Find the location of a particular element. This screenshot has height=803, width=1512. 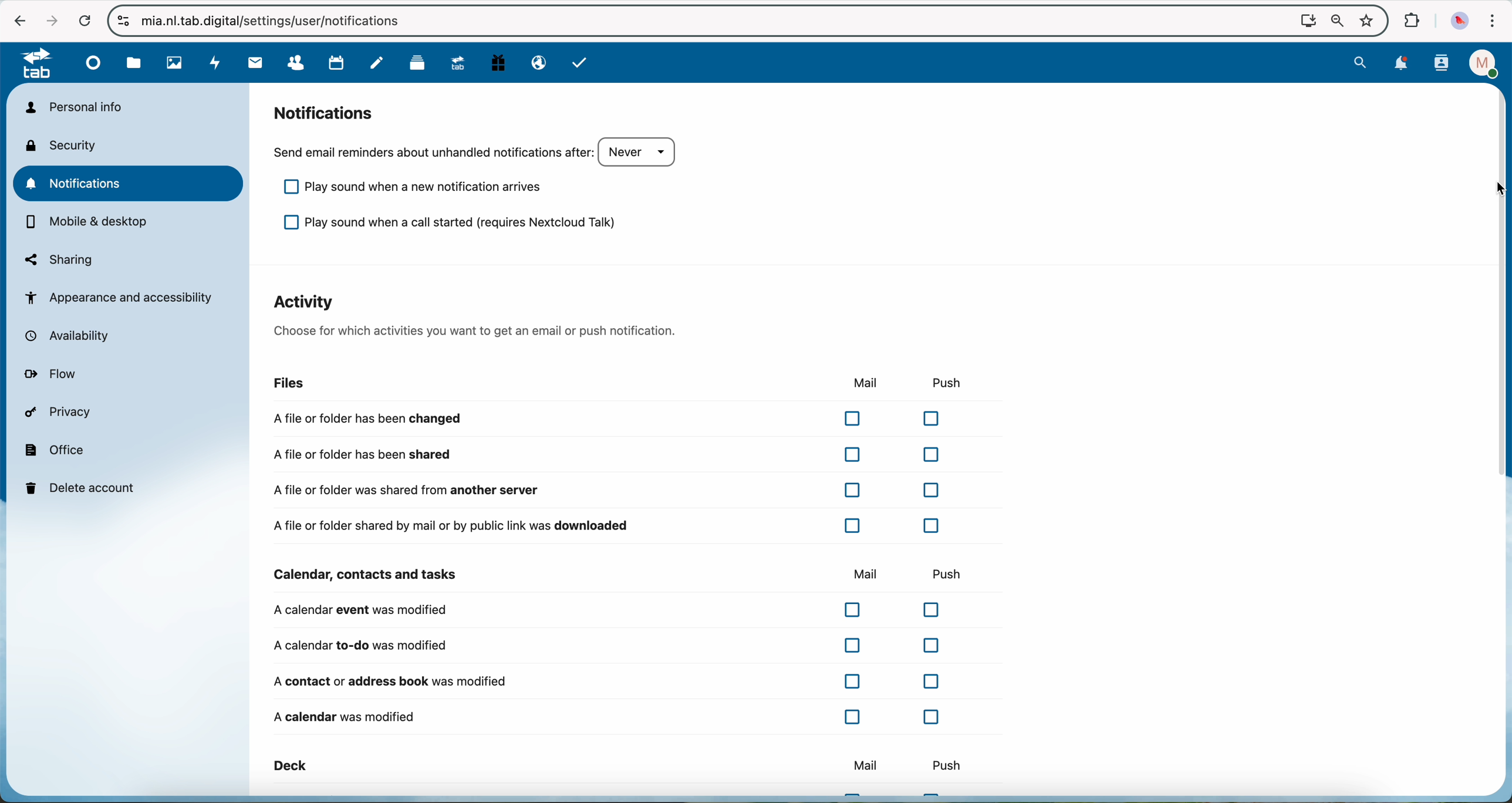

activity is located at coordinates (214, 63).